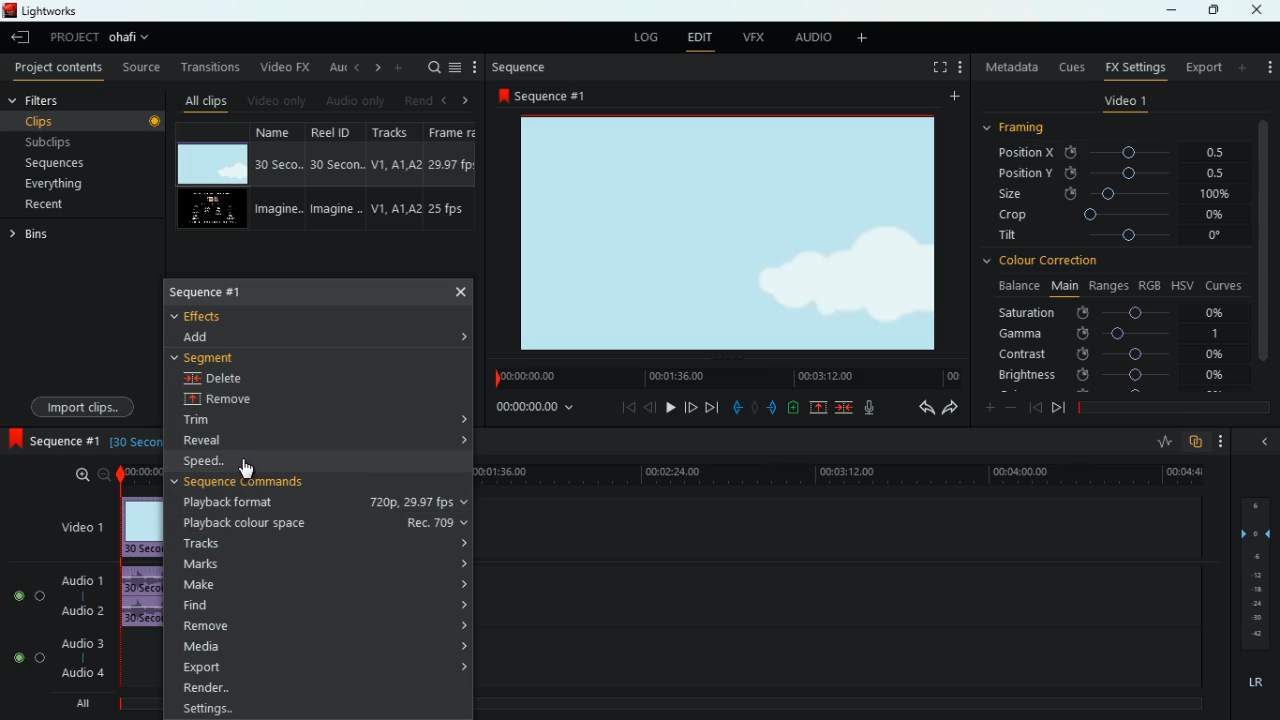 The width and height of the screenshot is (1280, 720). I want to click on video fx, so click(283, 66).